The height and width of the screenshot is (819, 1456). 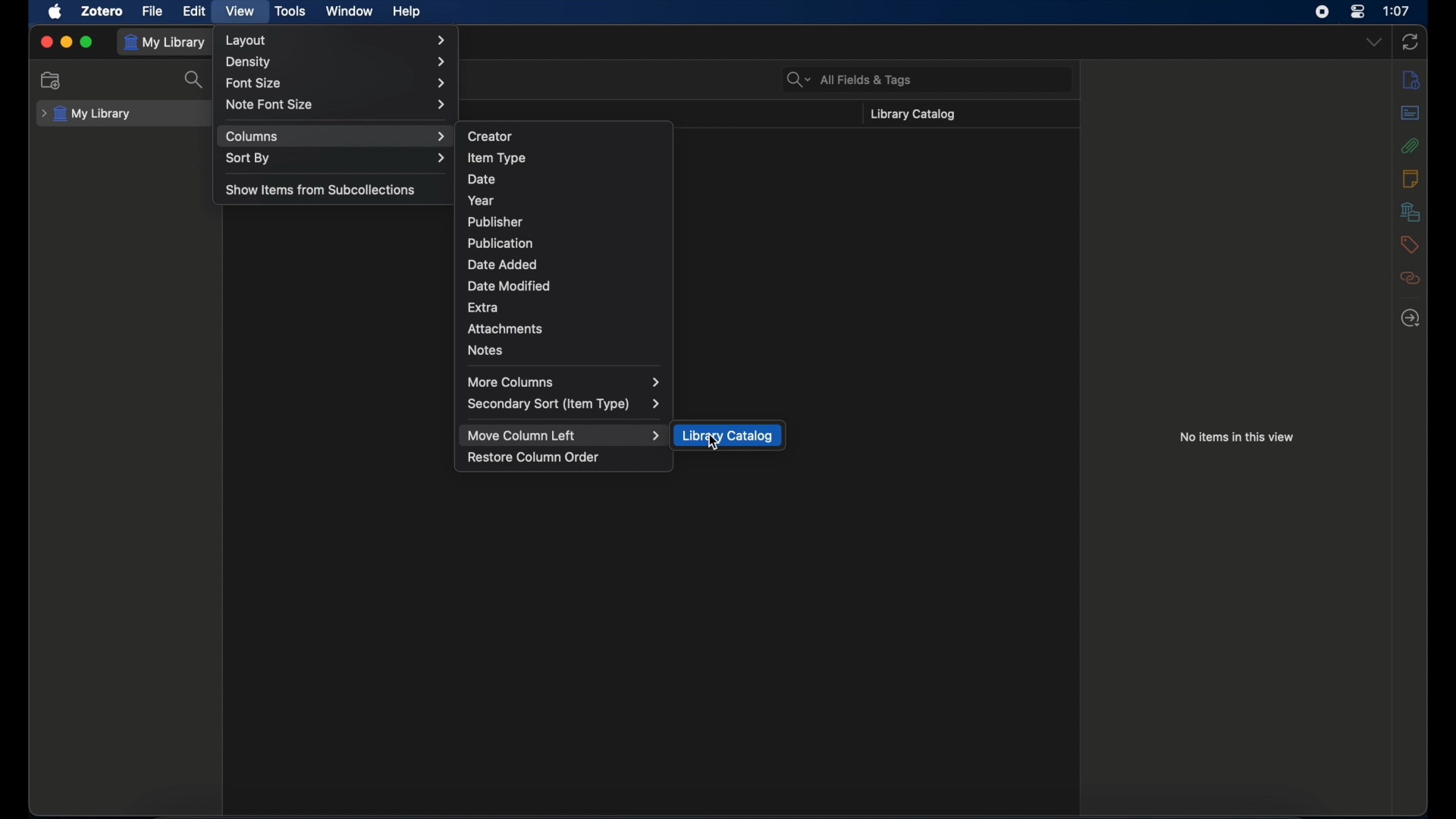 I want to click on publication, so click(x=500, y=243).